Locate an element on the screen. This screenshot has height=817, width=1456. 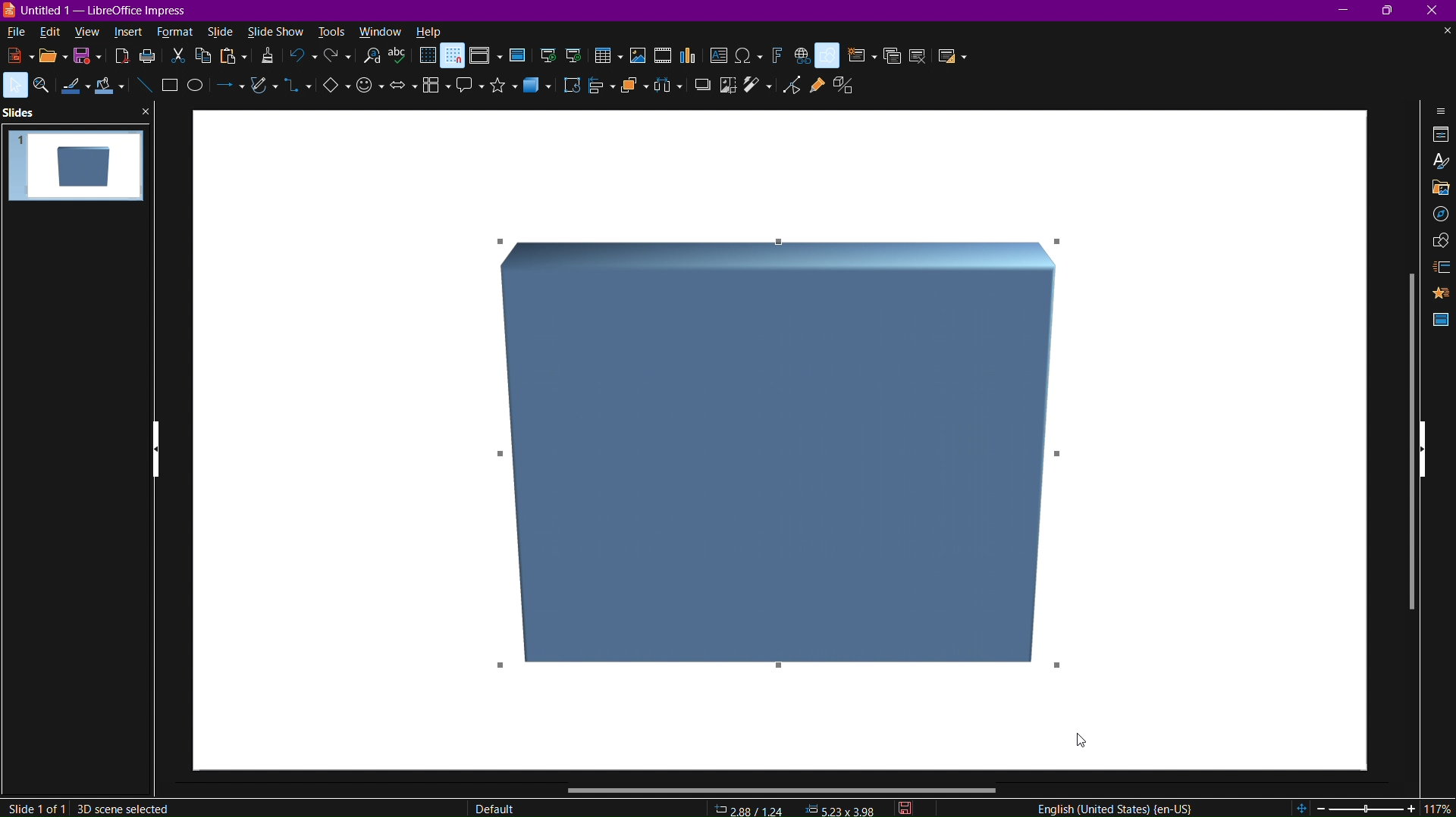
Display Views is located at coordinates (485, 57).